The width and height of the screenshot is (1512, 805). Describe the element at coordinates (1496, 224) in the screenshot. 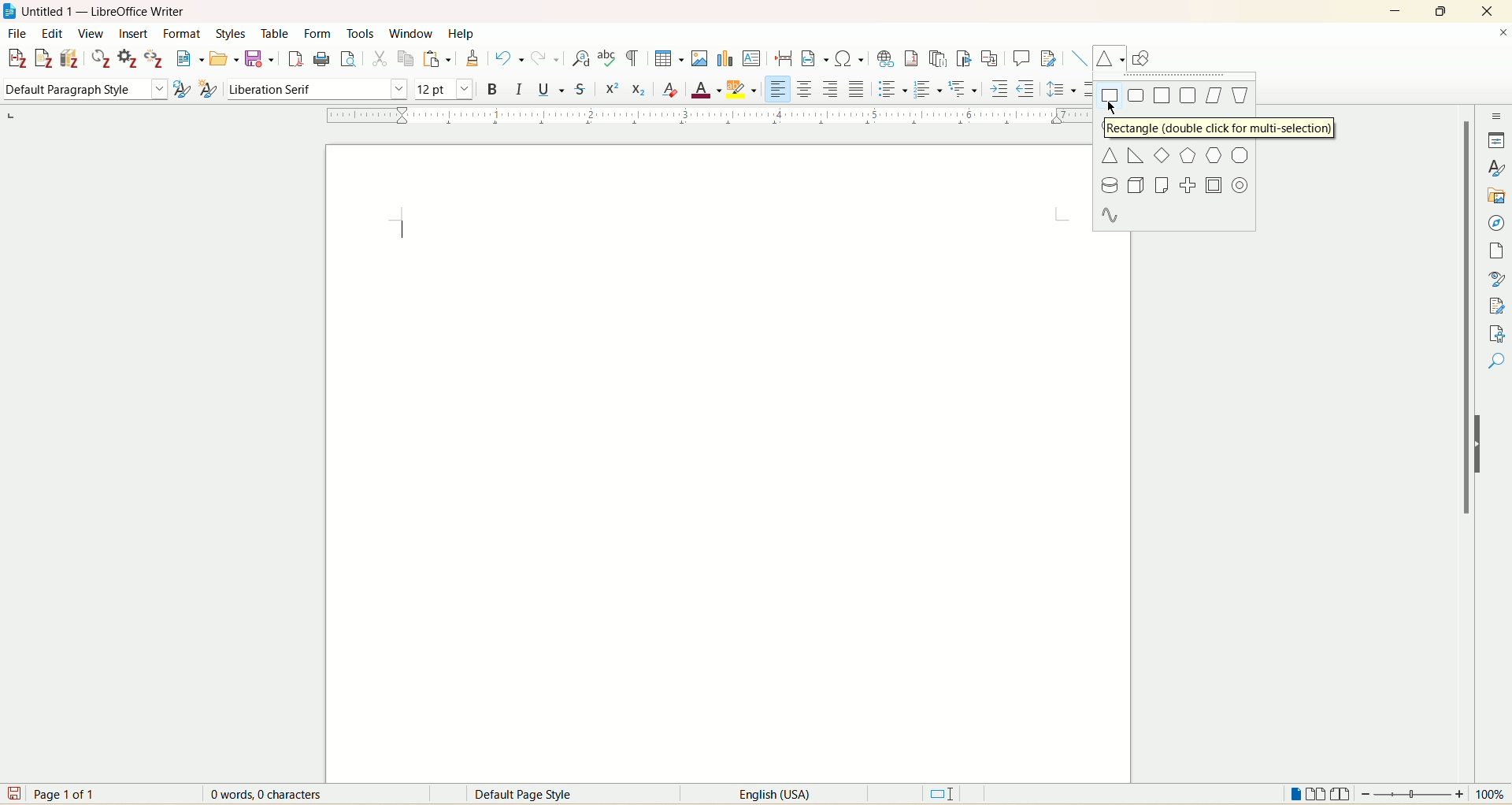

I see `navigator` at that location.